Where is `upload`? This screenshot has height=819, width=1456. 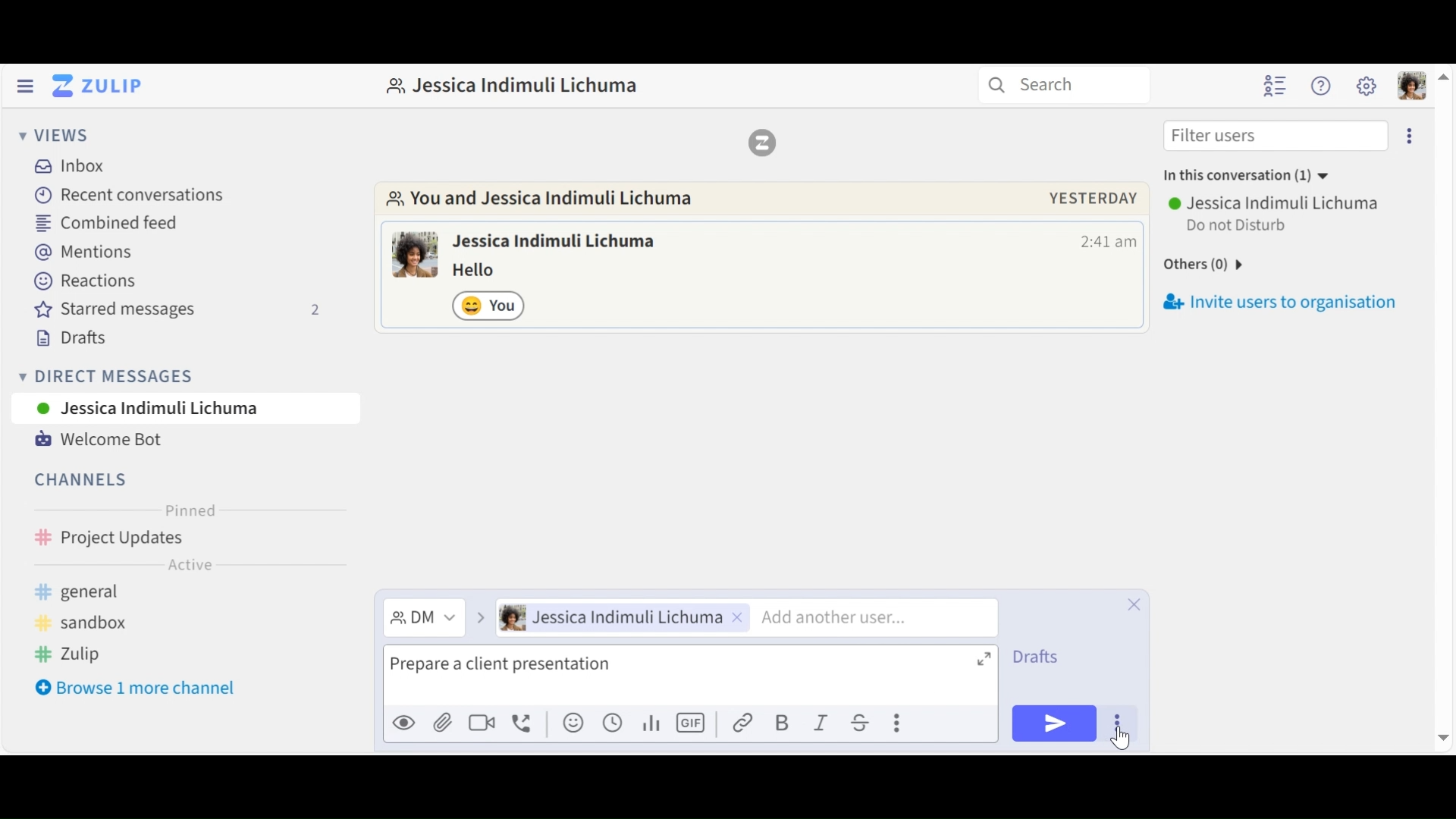
upload is located at coordinates (443, 725).